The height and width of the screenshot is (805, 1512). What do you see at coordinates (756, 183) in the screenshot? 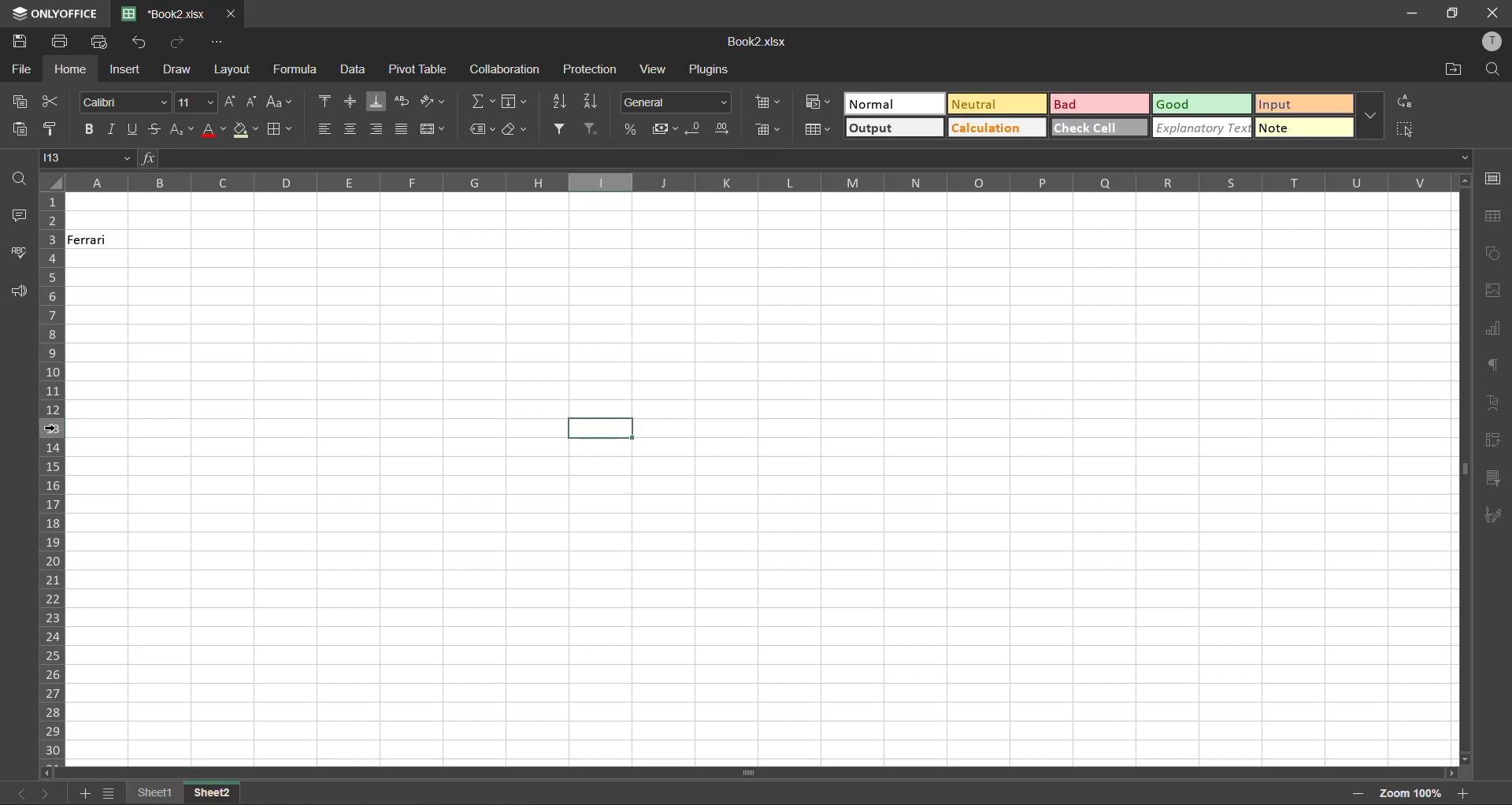
I see `column names` at bounding box center [756, 183].